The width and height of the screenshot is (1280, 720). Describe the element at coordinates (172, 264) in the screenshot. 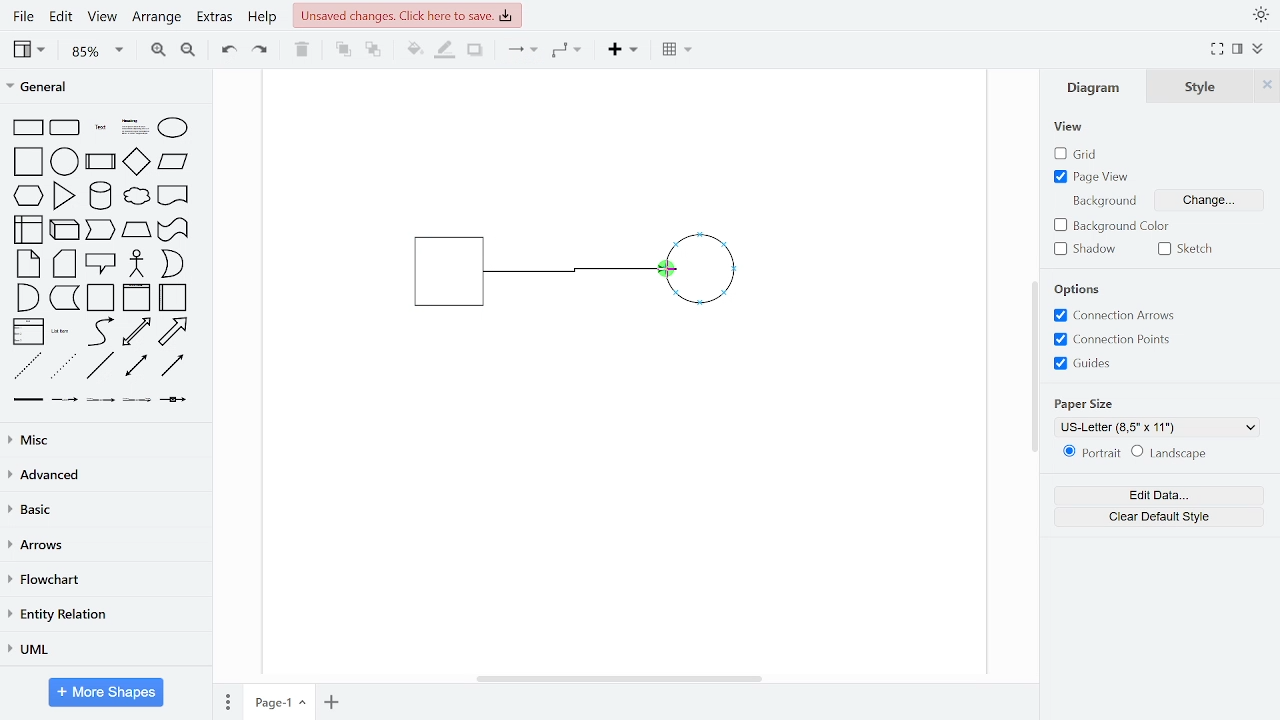

I see `or` at that location.